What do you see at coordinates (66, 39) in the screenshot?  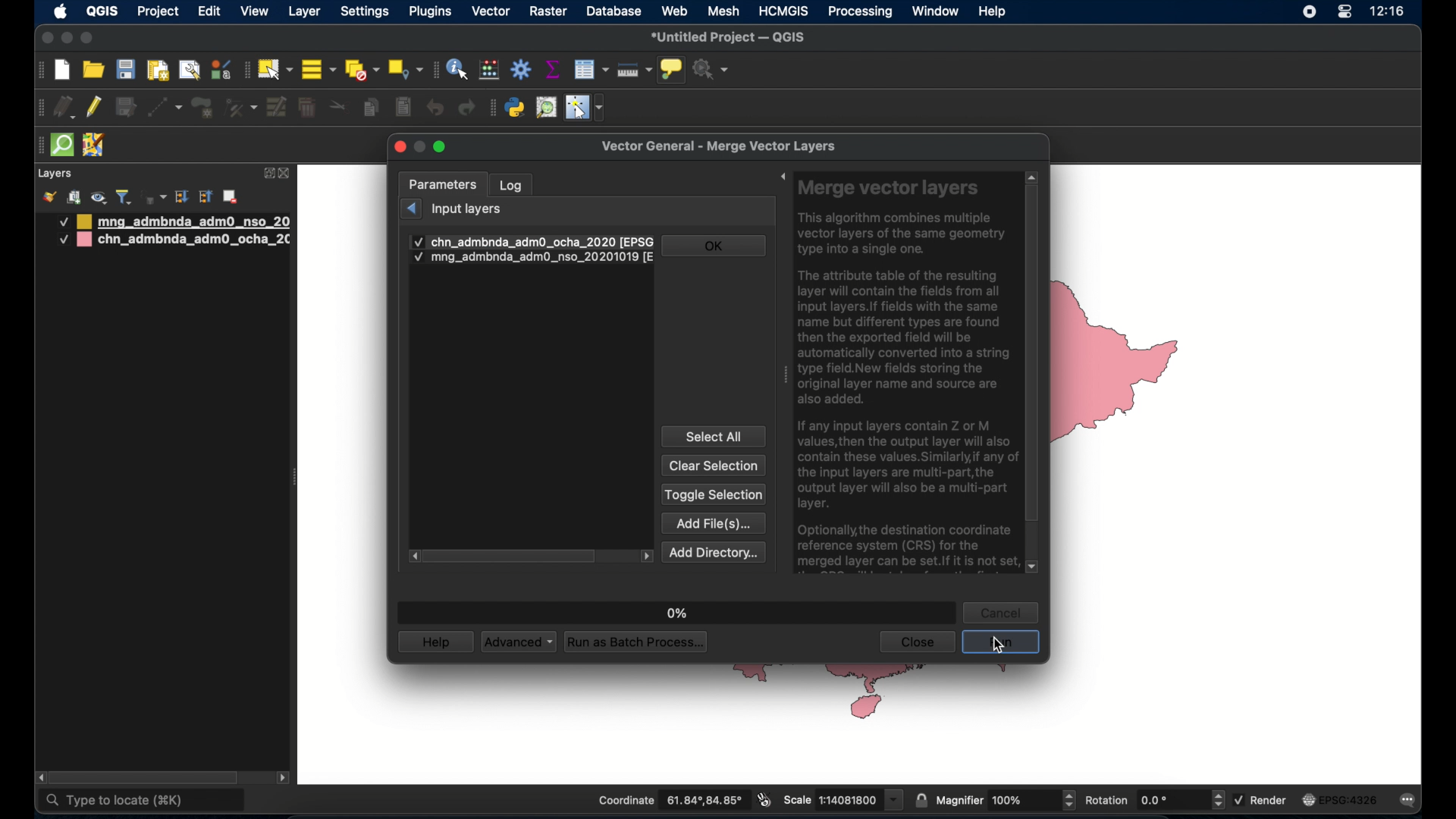 I see `minimize` at bounding box center [66, 39].